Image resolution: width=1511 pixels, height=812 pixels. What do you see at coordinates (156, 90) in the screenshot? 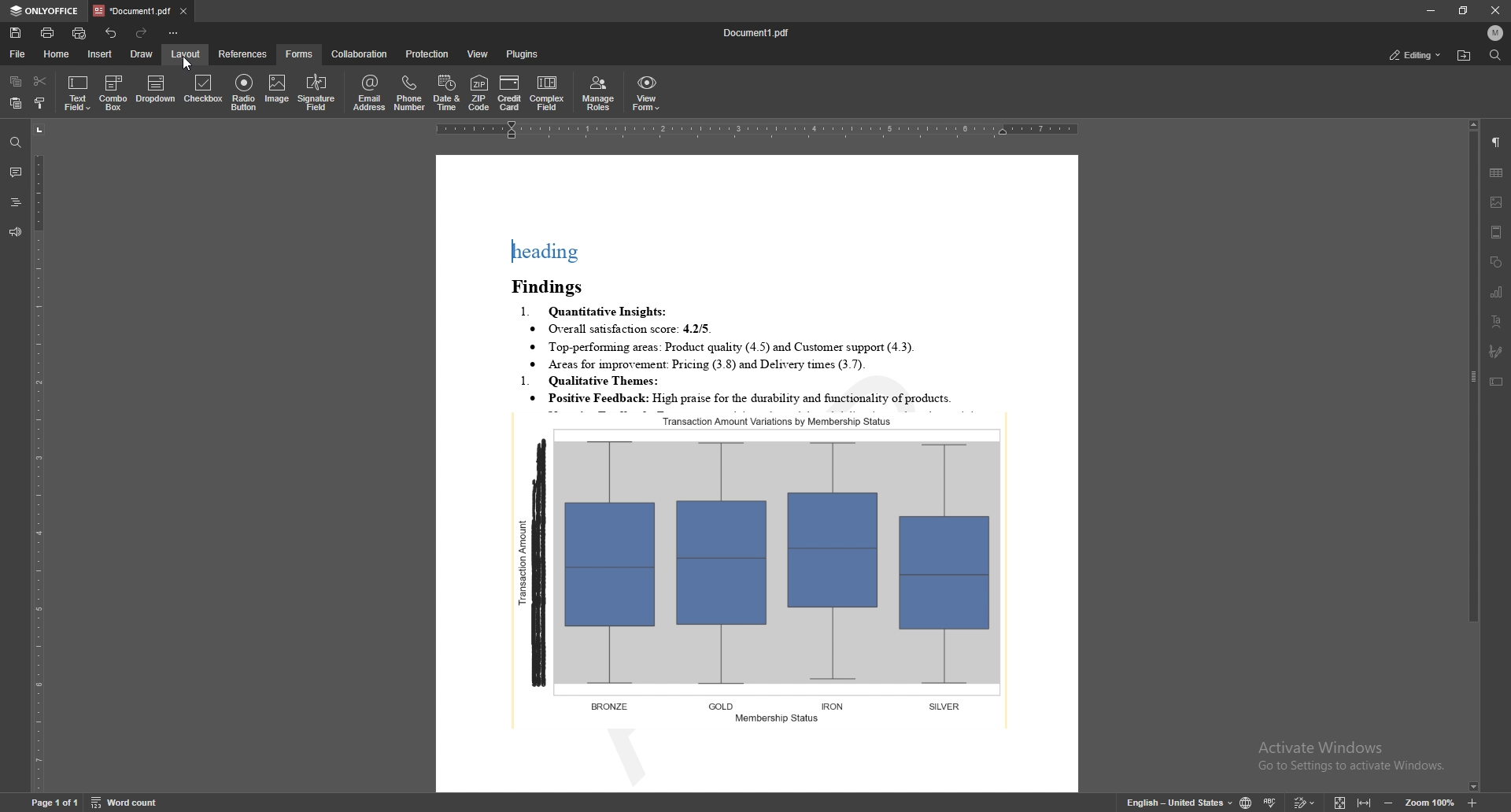
I see `dropdown` at bounding box center [156, 90].